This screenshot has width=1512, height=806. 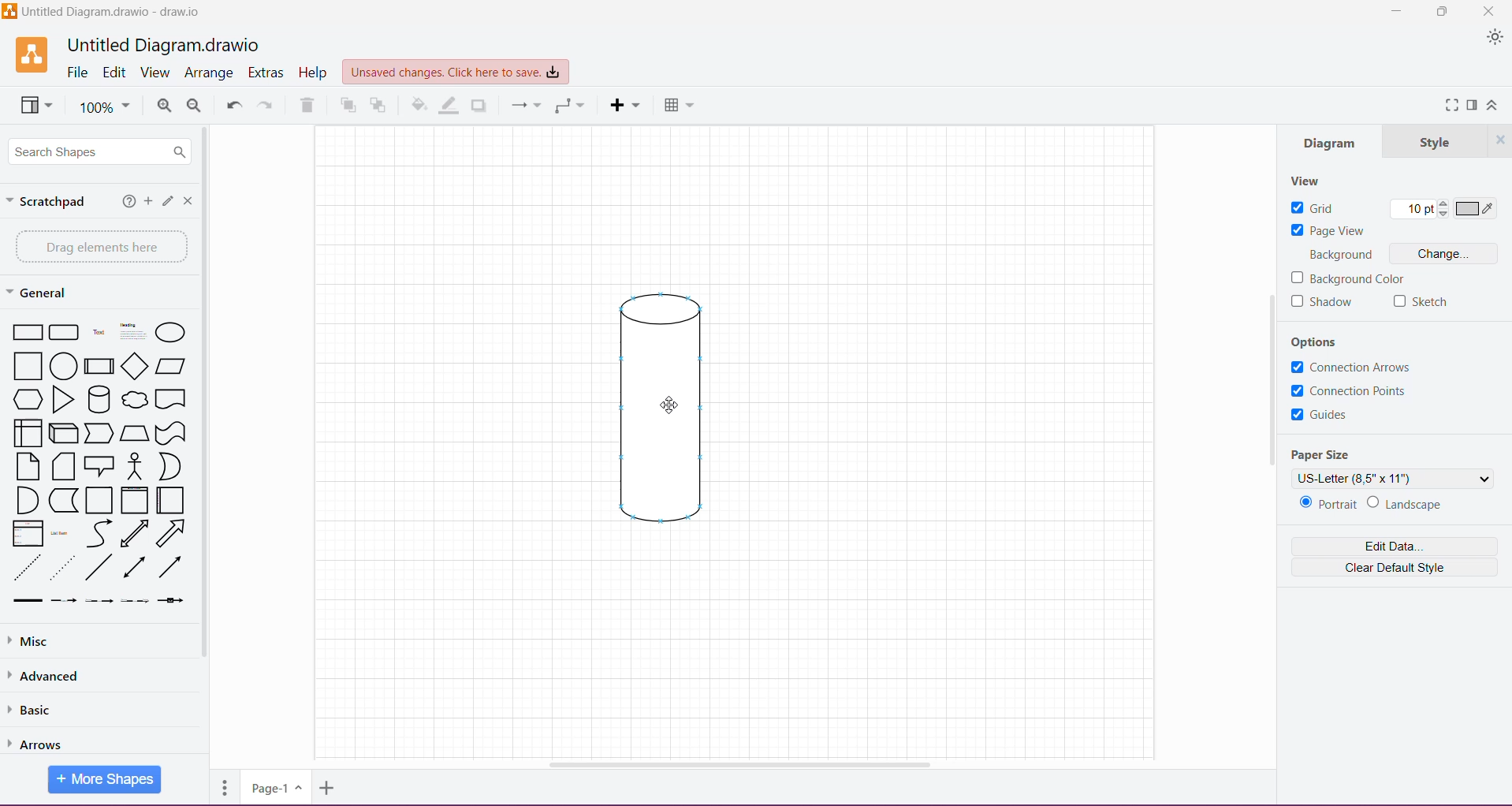 I want to click on Diagram, so click(x=1328, y=145).